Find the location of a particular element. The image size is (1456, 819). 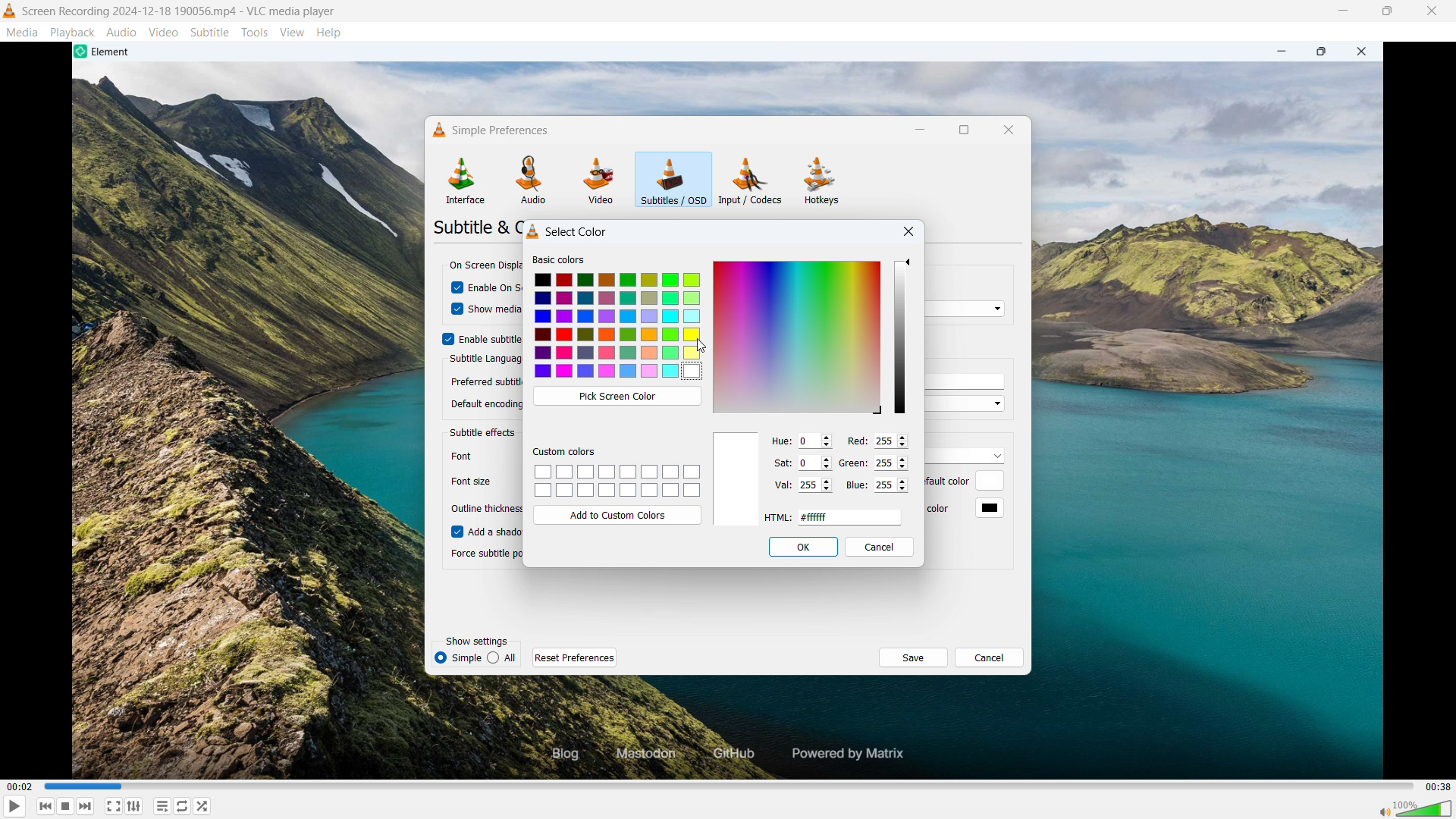

cursor is located at coordinates (699, 347).